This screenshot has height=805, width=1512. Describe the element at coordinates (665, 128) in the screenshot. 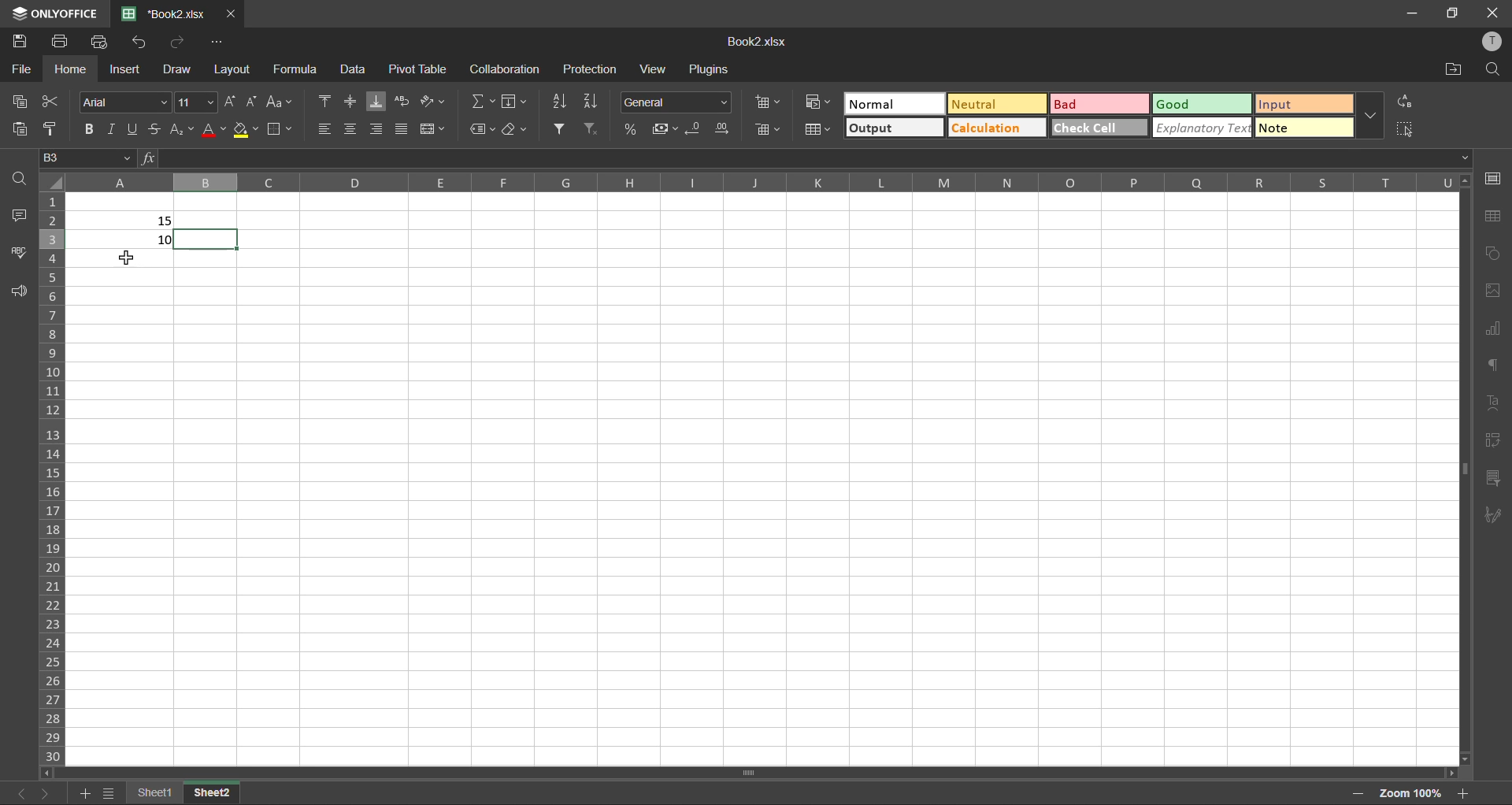

I see `accounting` at that location.